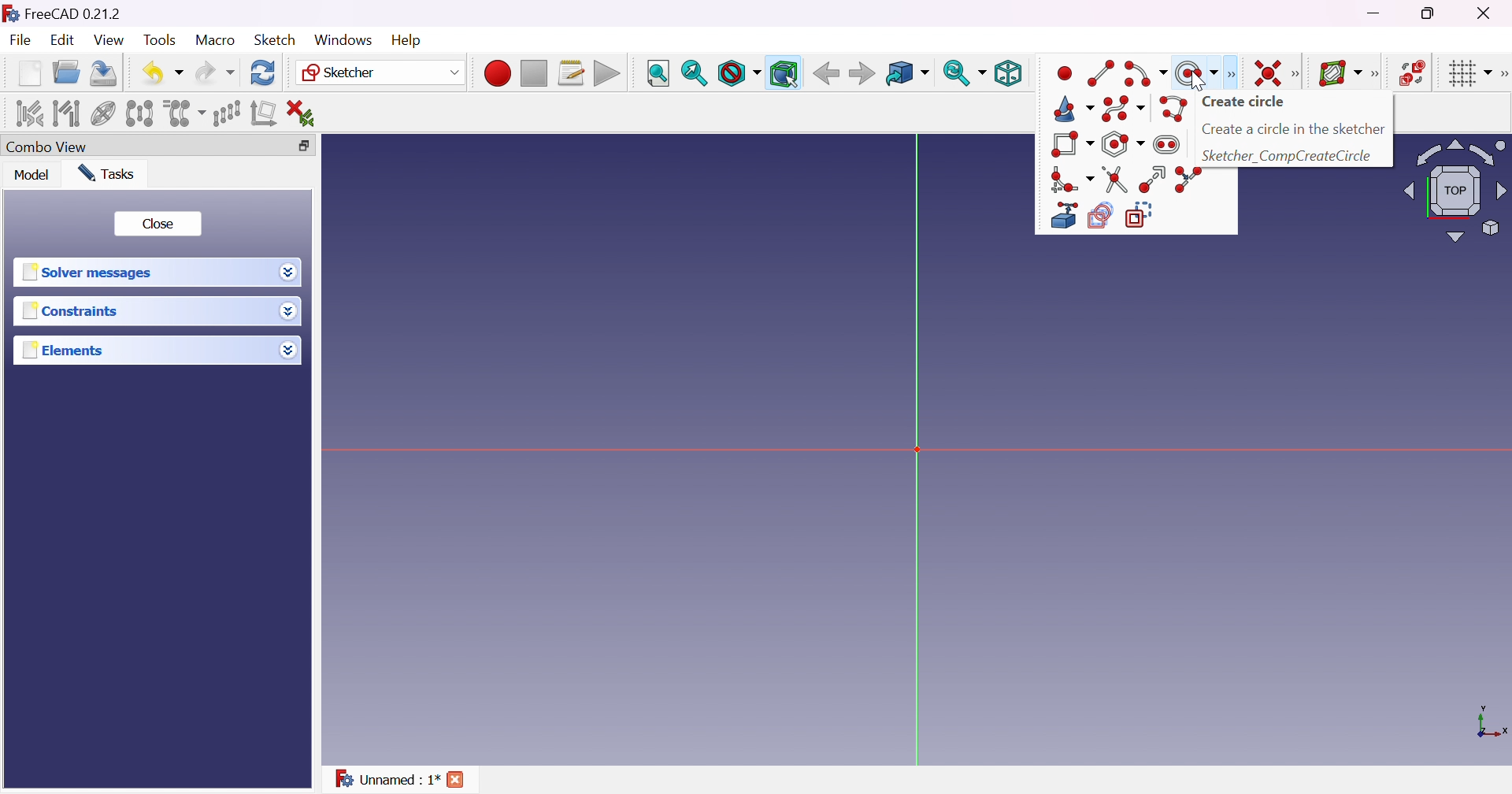 The image size is (1512, 794). I want to click on Stop macro recording, so click(532, 74).